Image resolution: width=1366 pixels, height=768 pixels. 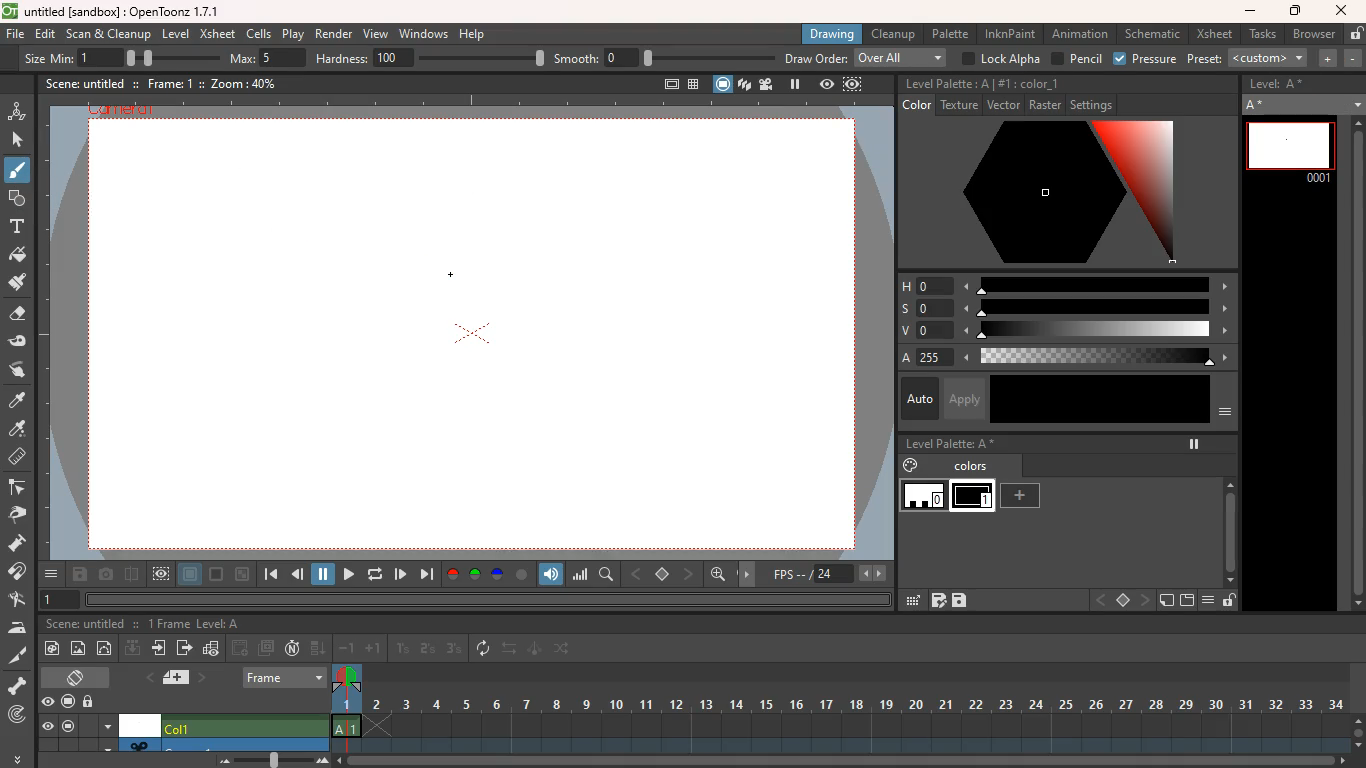 What do you see at coordinates (423, 34) in the screenshot?
I see `windows` at bounding box center [423, 34].